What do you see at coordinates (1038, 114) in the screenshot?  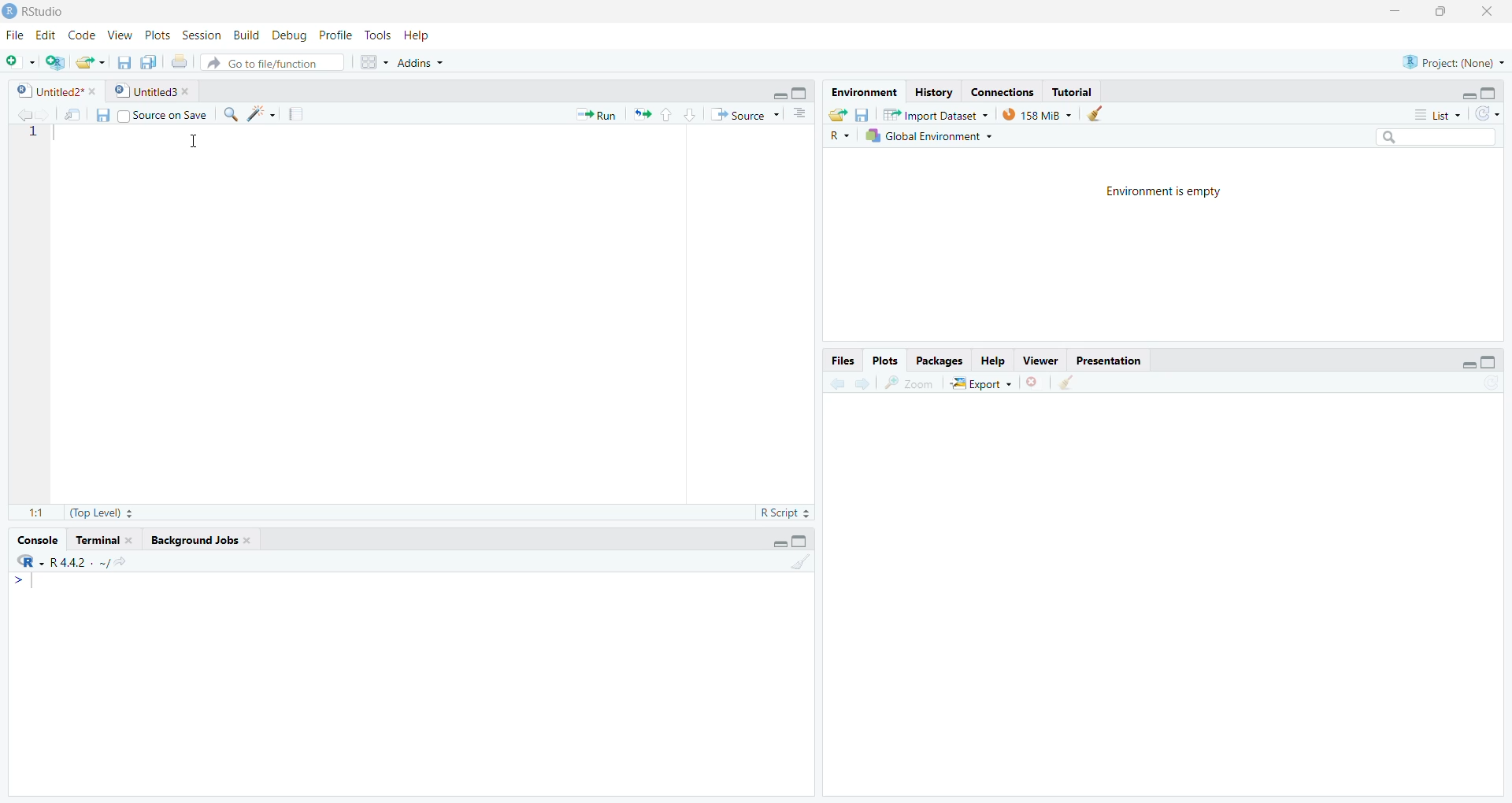 I see `» 158 MiB ` at bounding box center [1038, 114].